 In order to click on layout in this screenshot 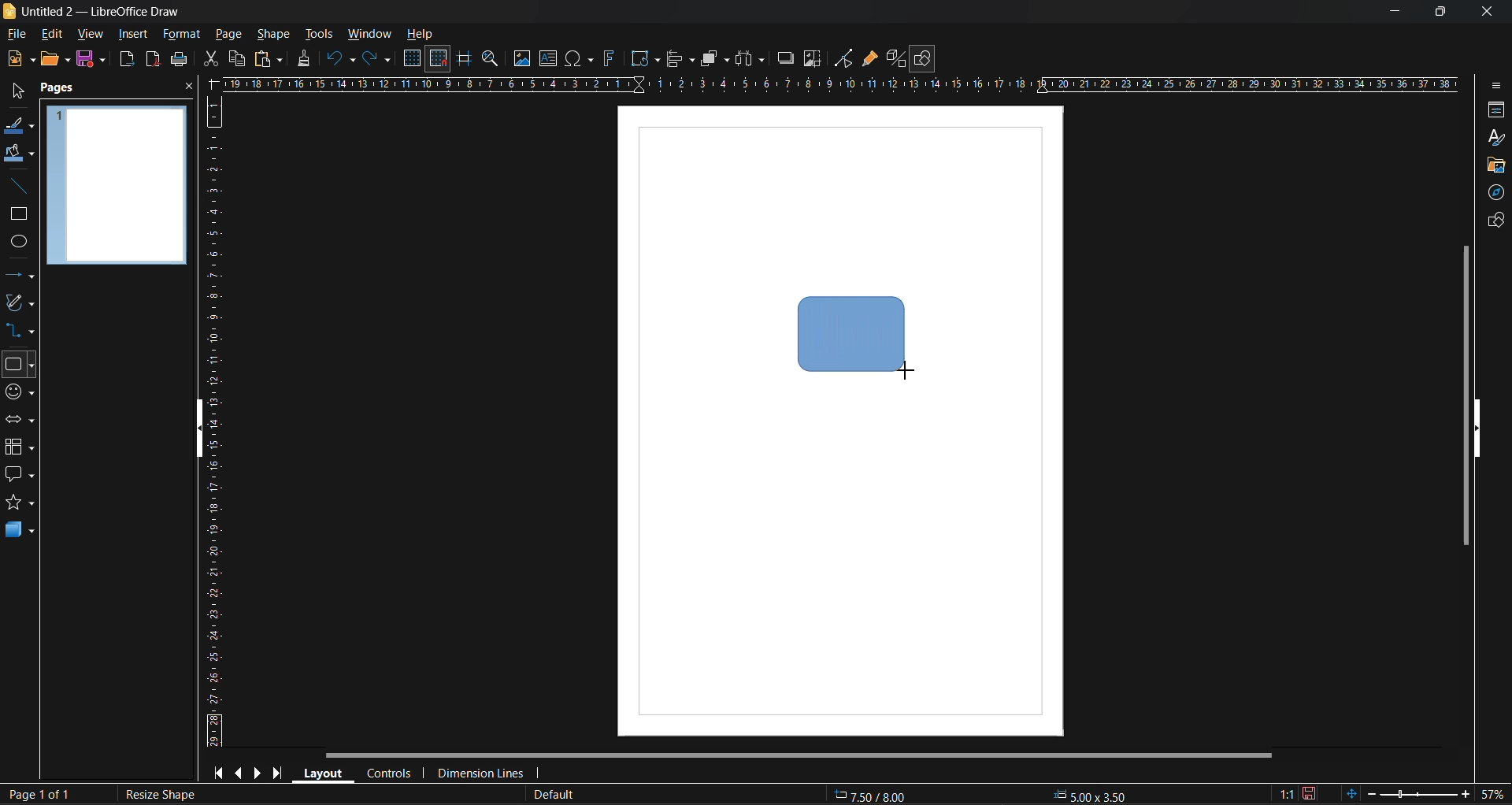, I will do `click(320, 772)`.